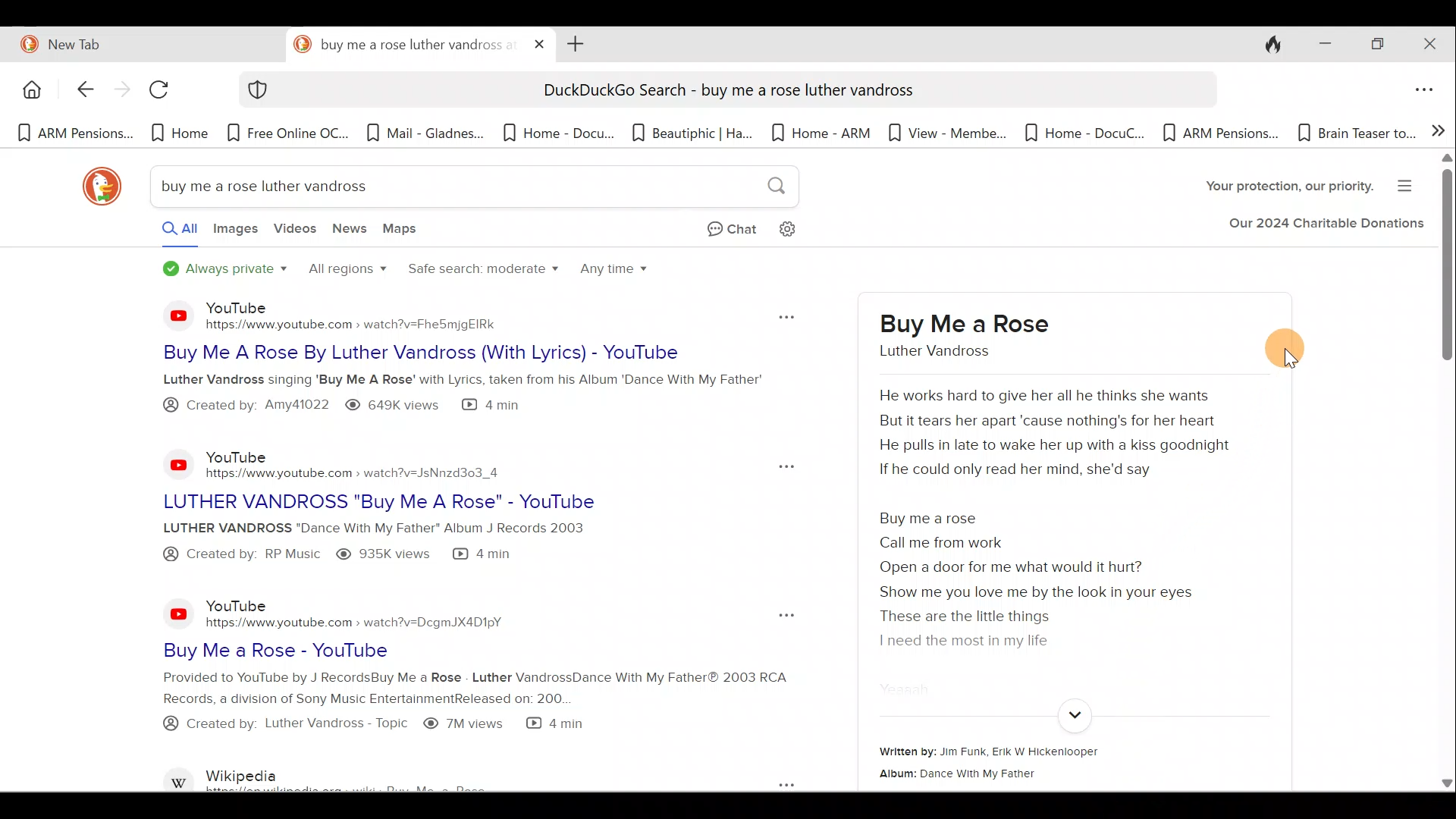 The height and width of the screenshot is (819, 1456). Describe the element at coordinates (445, 498) in the screenshot. I see `LUTHER VANDROSS "Buy Me A Rose" - YouTube` at that location.